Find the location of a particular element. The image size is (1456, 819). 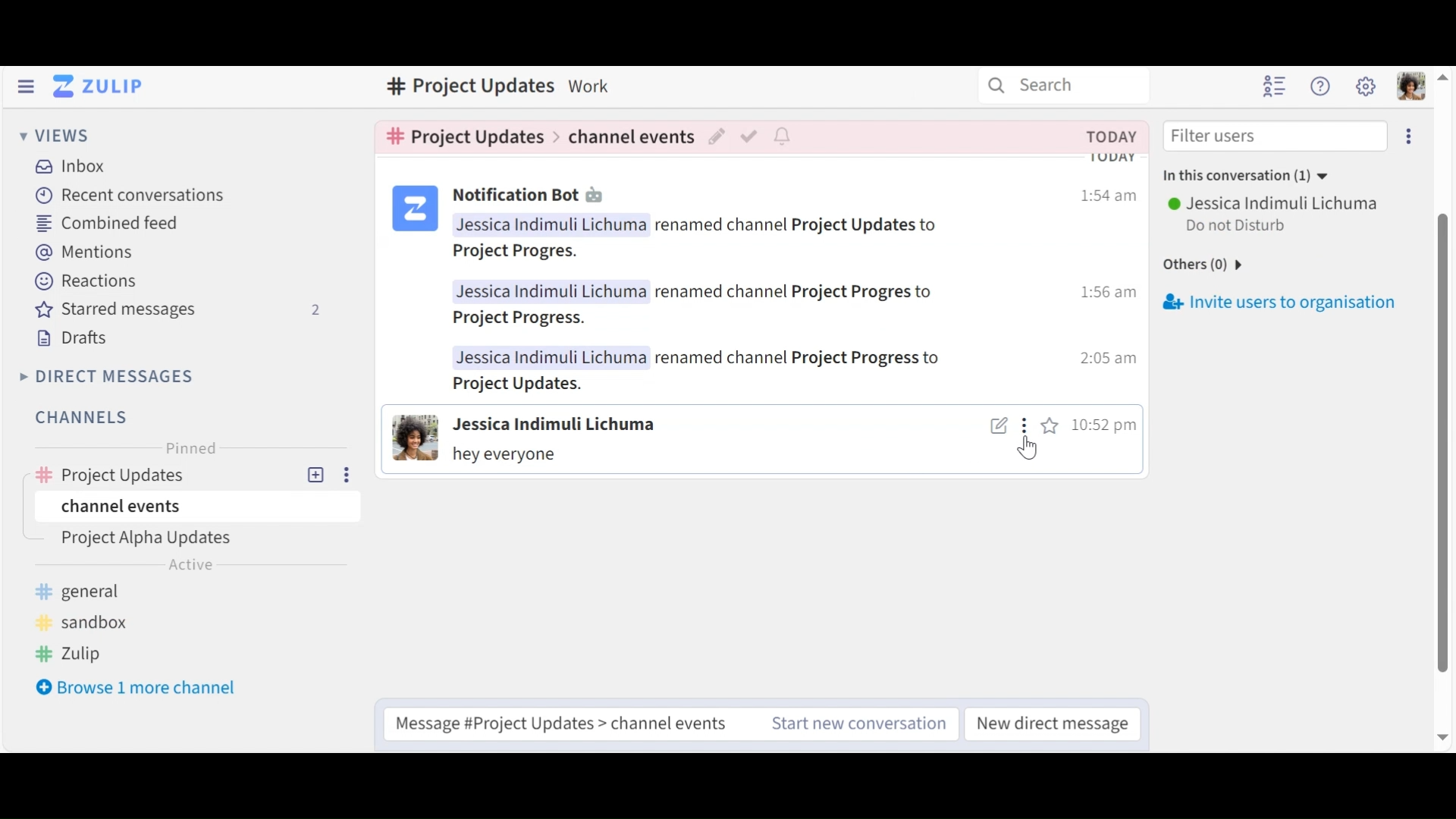

Topic is located at coordinates (201, 540).